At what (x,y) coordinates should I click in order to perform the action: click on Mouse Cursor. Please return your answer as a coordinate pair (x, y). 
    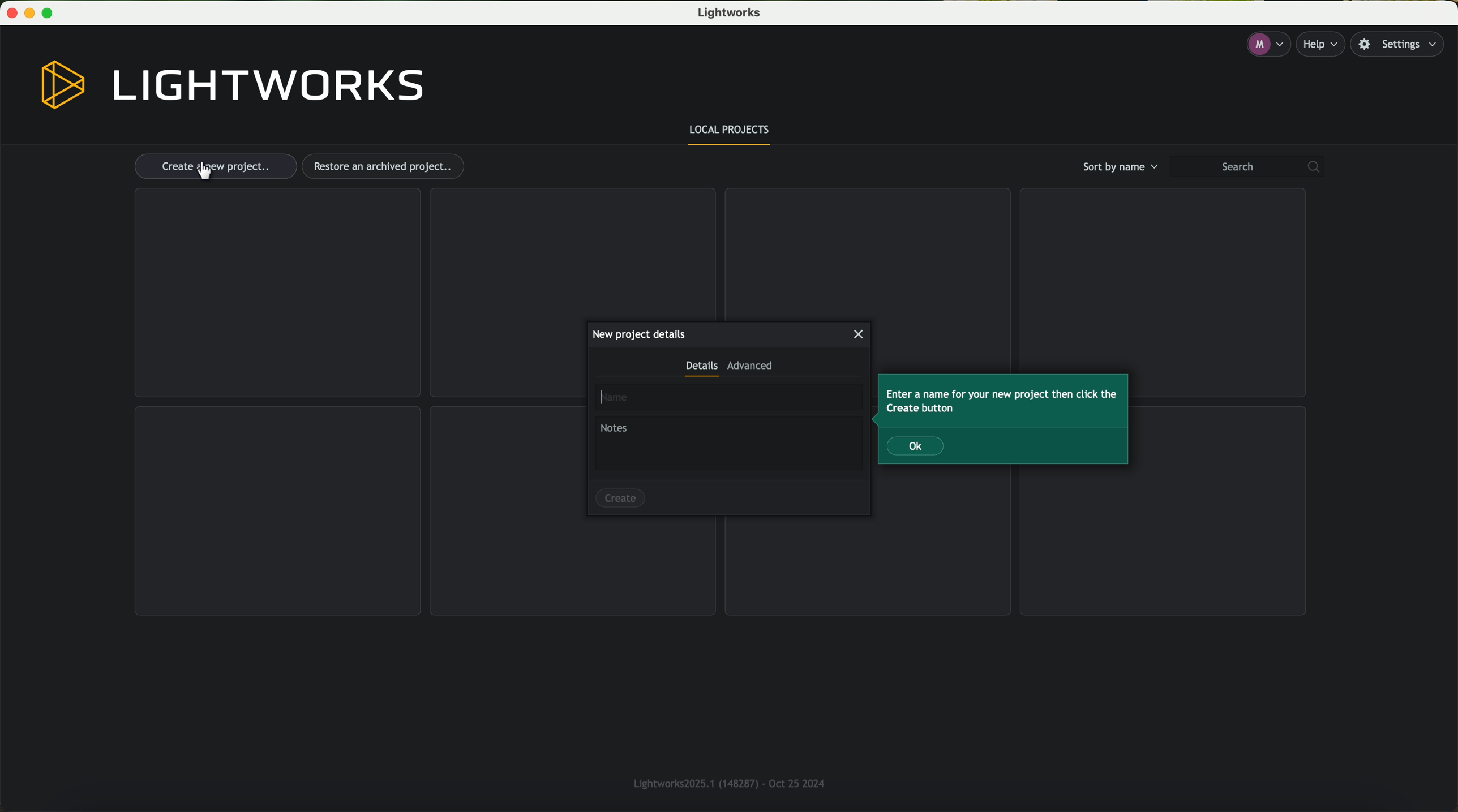
    Looking at the image, I should click on (205, 171).